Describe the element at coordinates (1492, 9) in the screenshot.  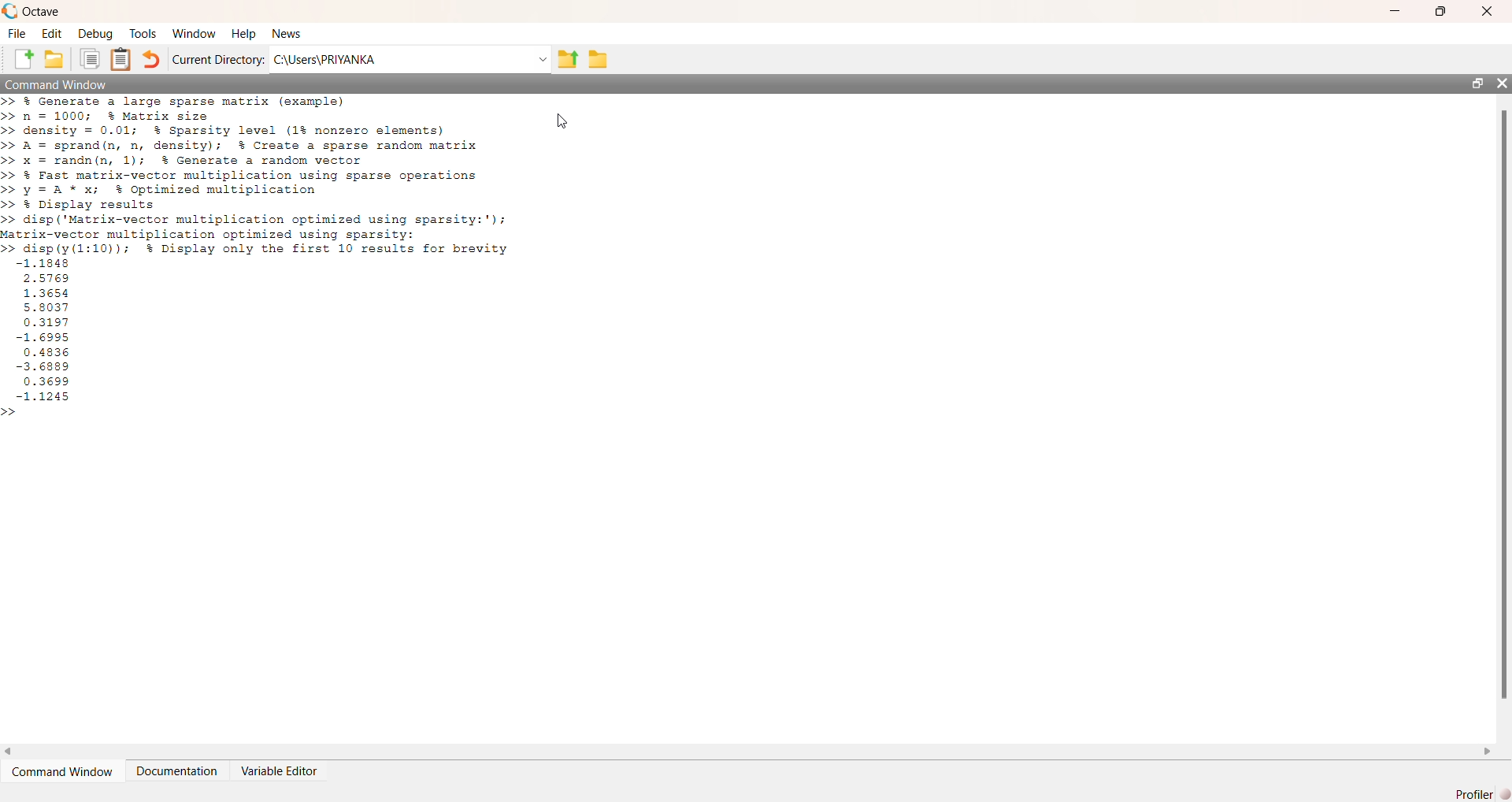
I see `close` at that location.